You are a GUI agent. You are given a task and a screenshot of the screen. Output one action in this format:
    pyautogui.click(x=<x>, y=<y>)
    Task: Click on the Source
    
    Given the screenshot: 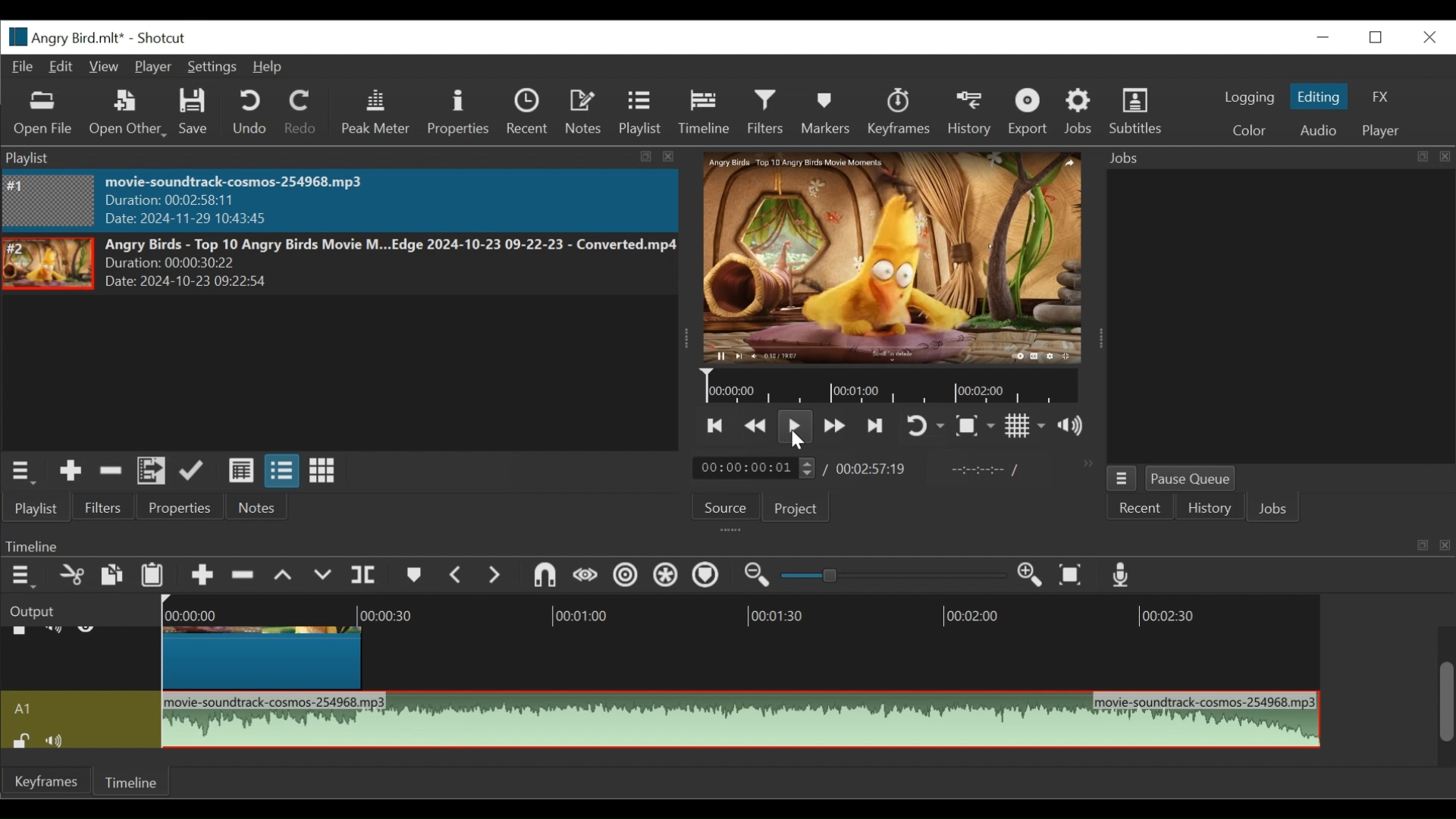 What is the action you would take?
    pyautogui.click(x=726, y=508)
    